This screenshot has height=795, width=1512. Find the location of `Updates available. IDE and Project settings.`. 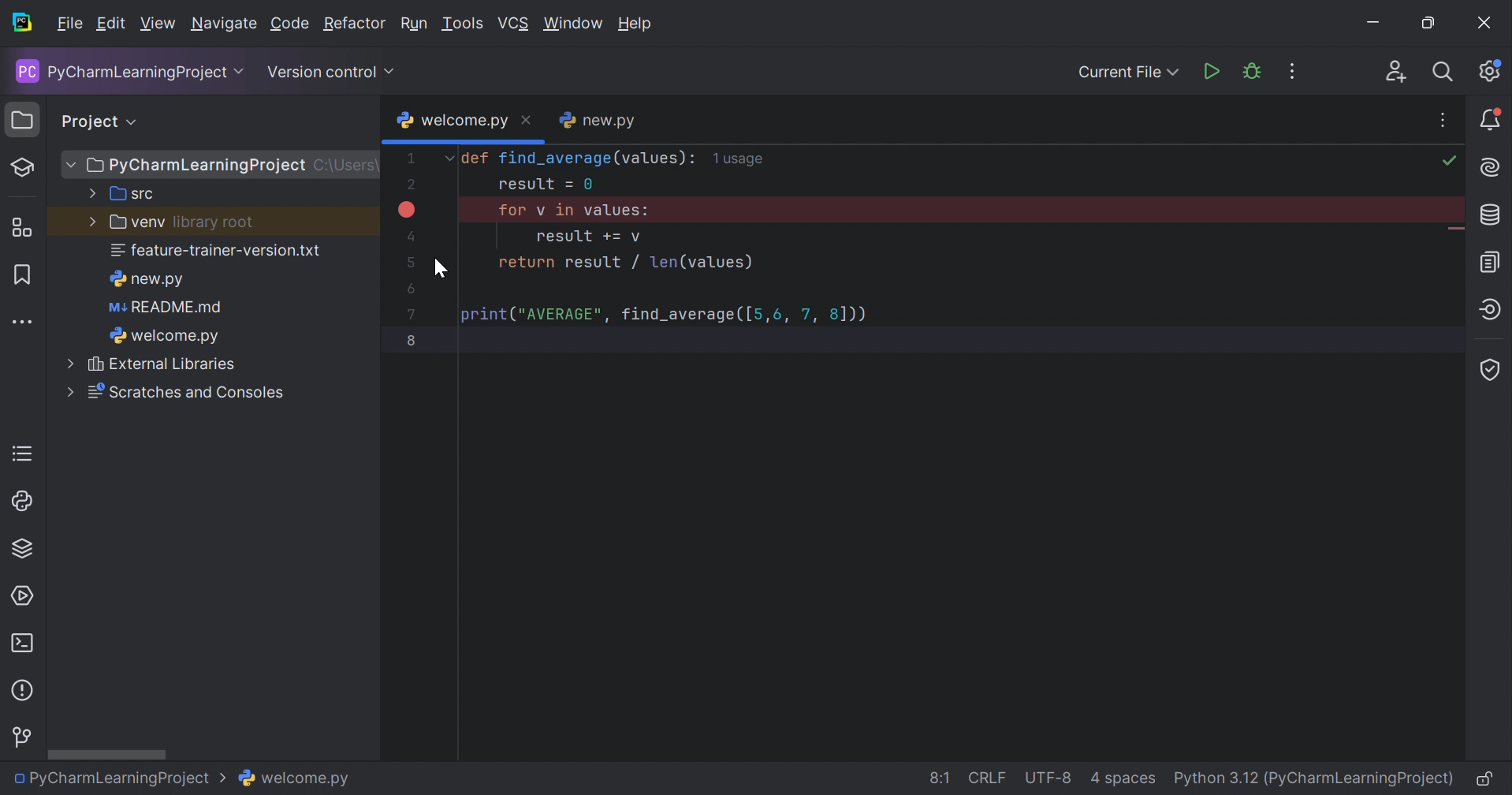

Updates available. IDE and Project settings. is located at coordinates (1492, 72).